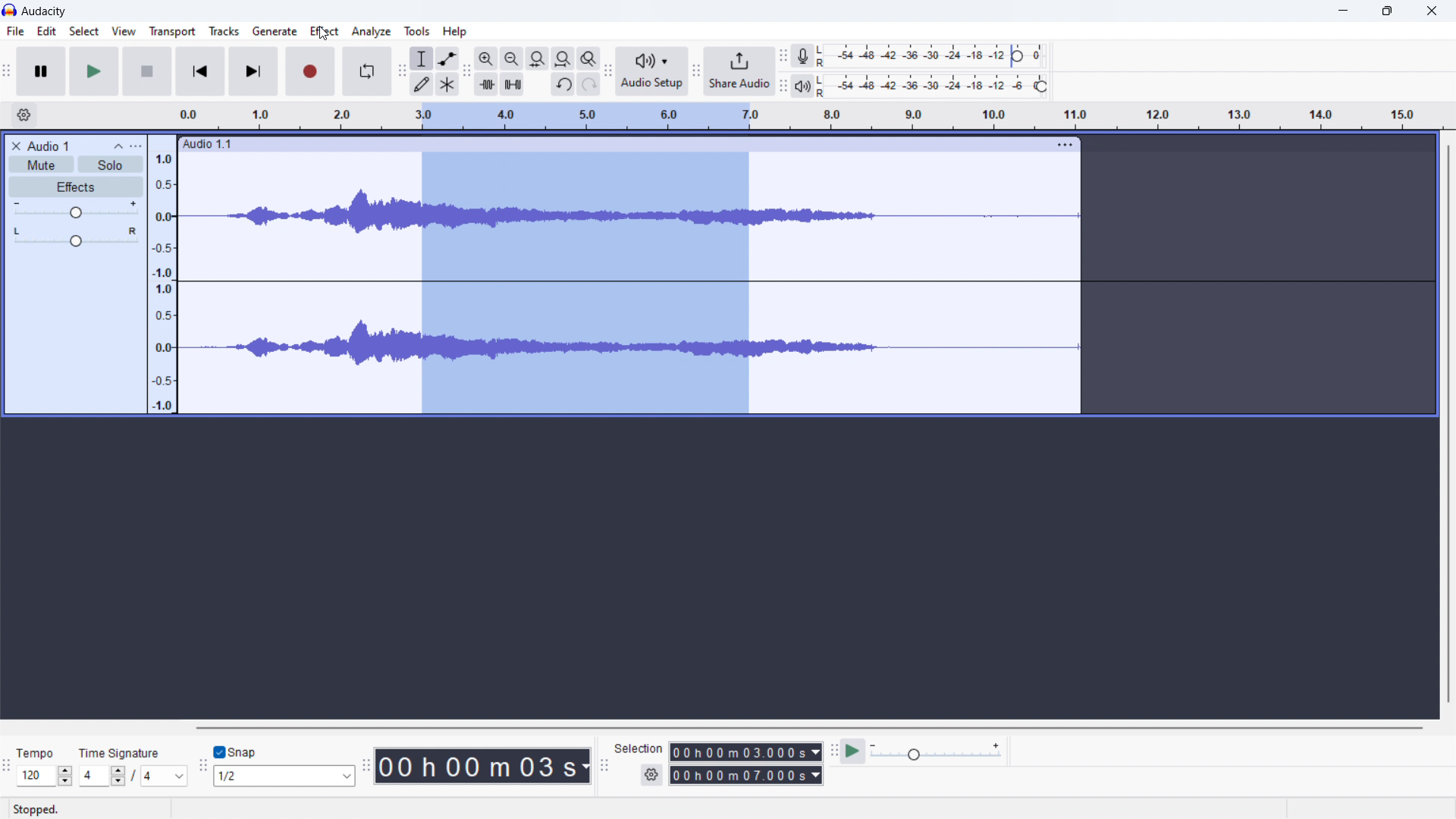 The image size is (1456, 819). Describe the element at coordinates (75, 187) in the screenshot. I see `effects` at that location.